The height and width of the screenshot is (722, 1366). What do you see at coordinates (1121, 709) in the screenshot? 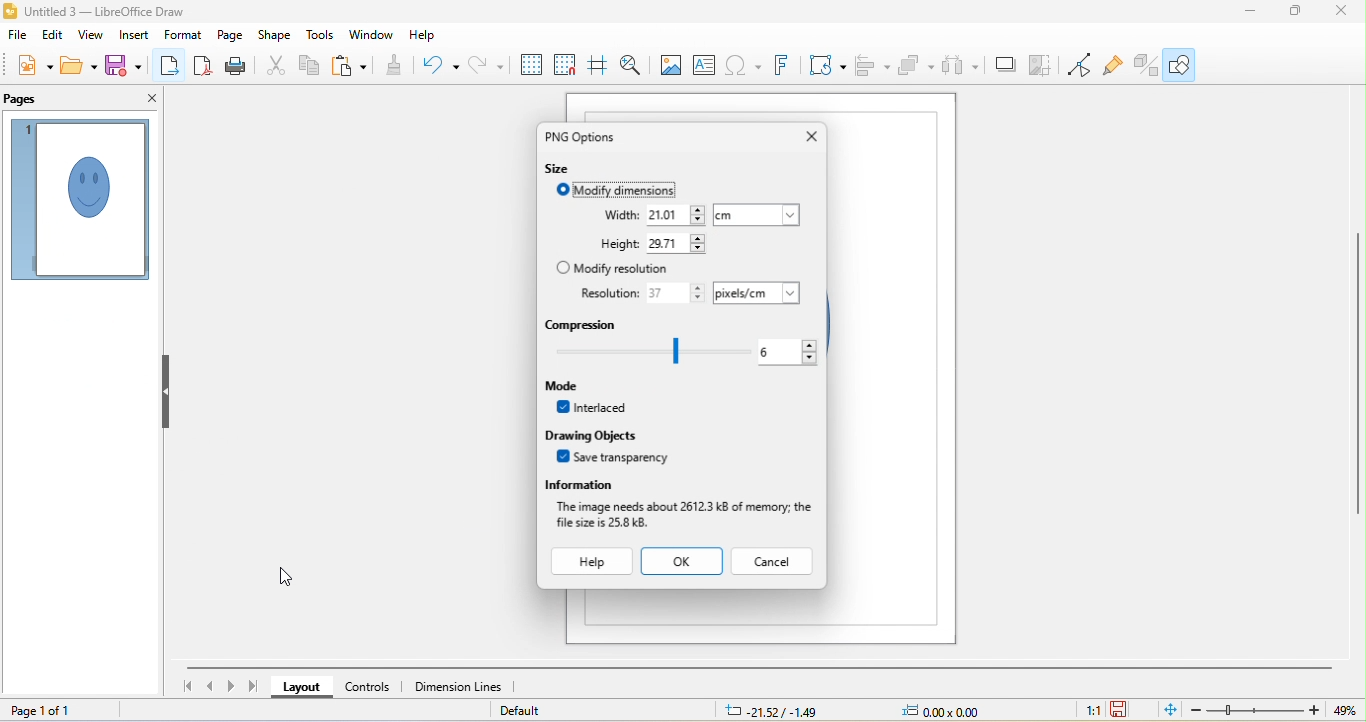
I see `save` at bounding box center [1121, 709].